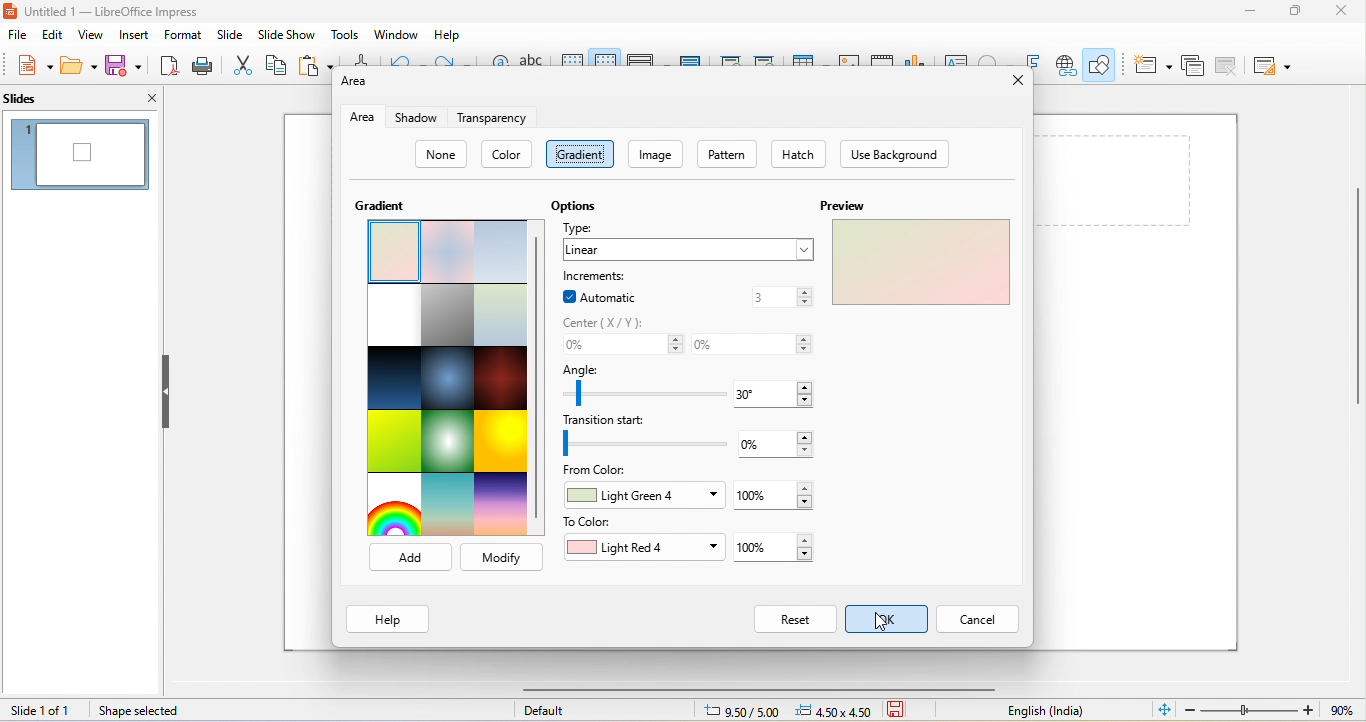  What do you see at coordinates (849, 206) in the screenshot?
I see `preview` at bounding box center [849, 206].